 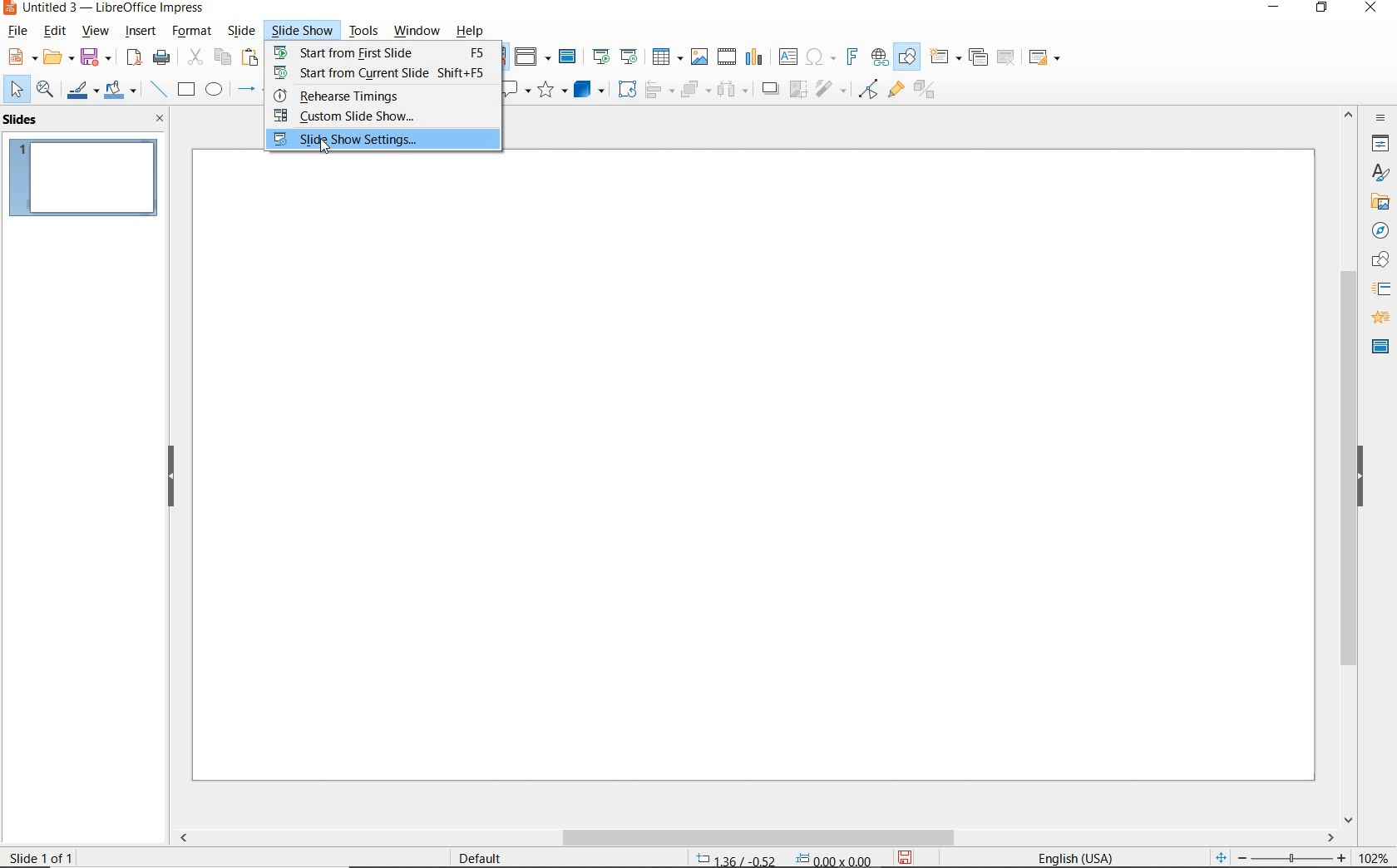 I want to click on SHAPES, so click(x=1377, y=262).